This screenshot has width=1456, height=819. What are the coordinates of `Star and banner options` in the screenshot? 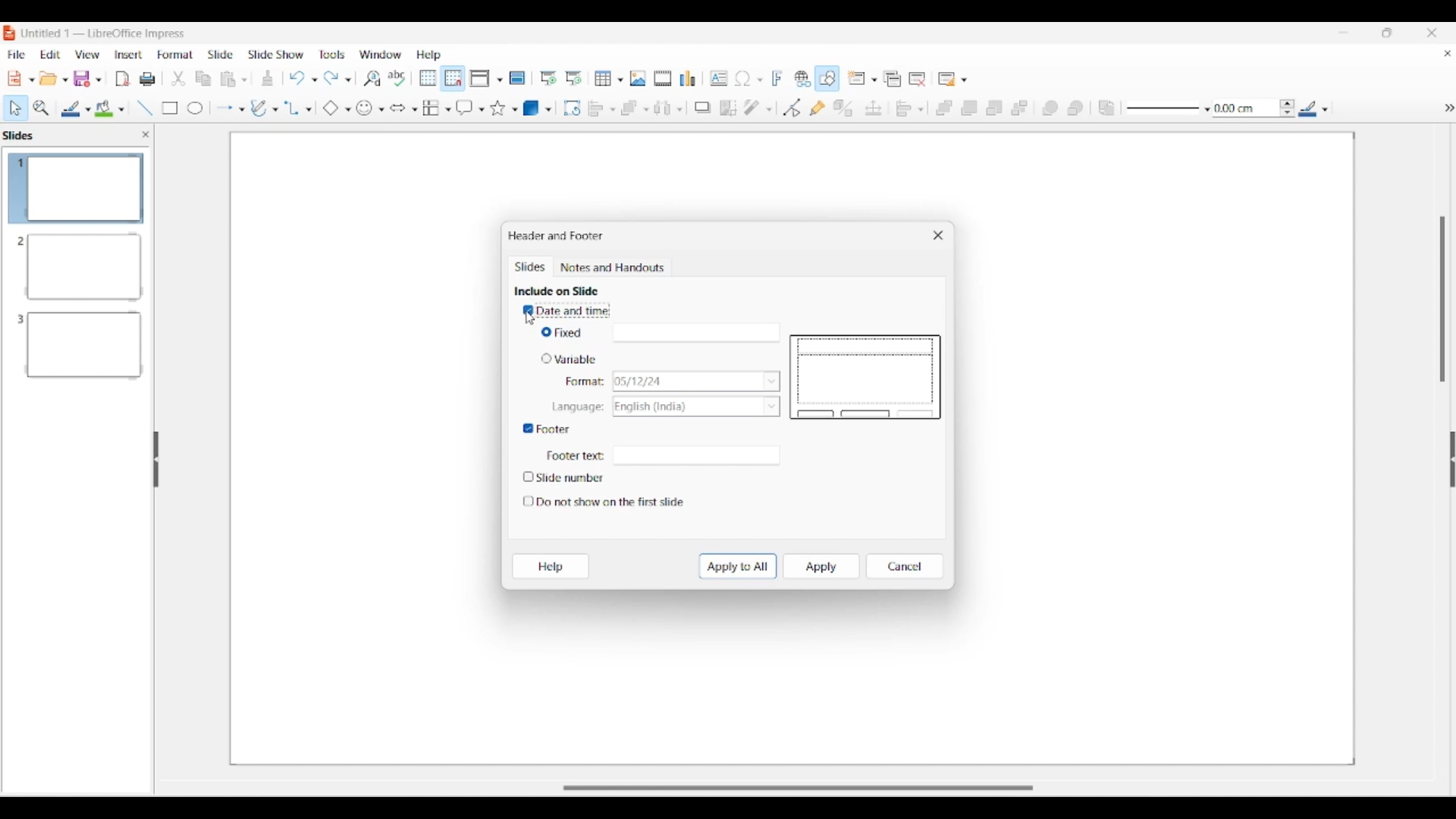 It's located at (504, 108).